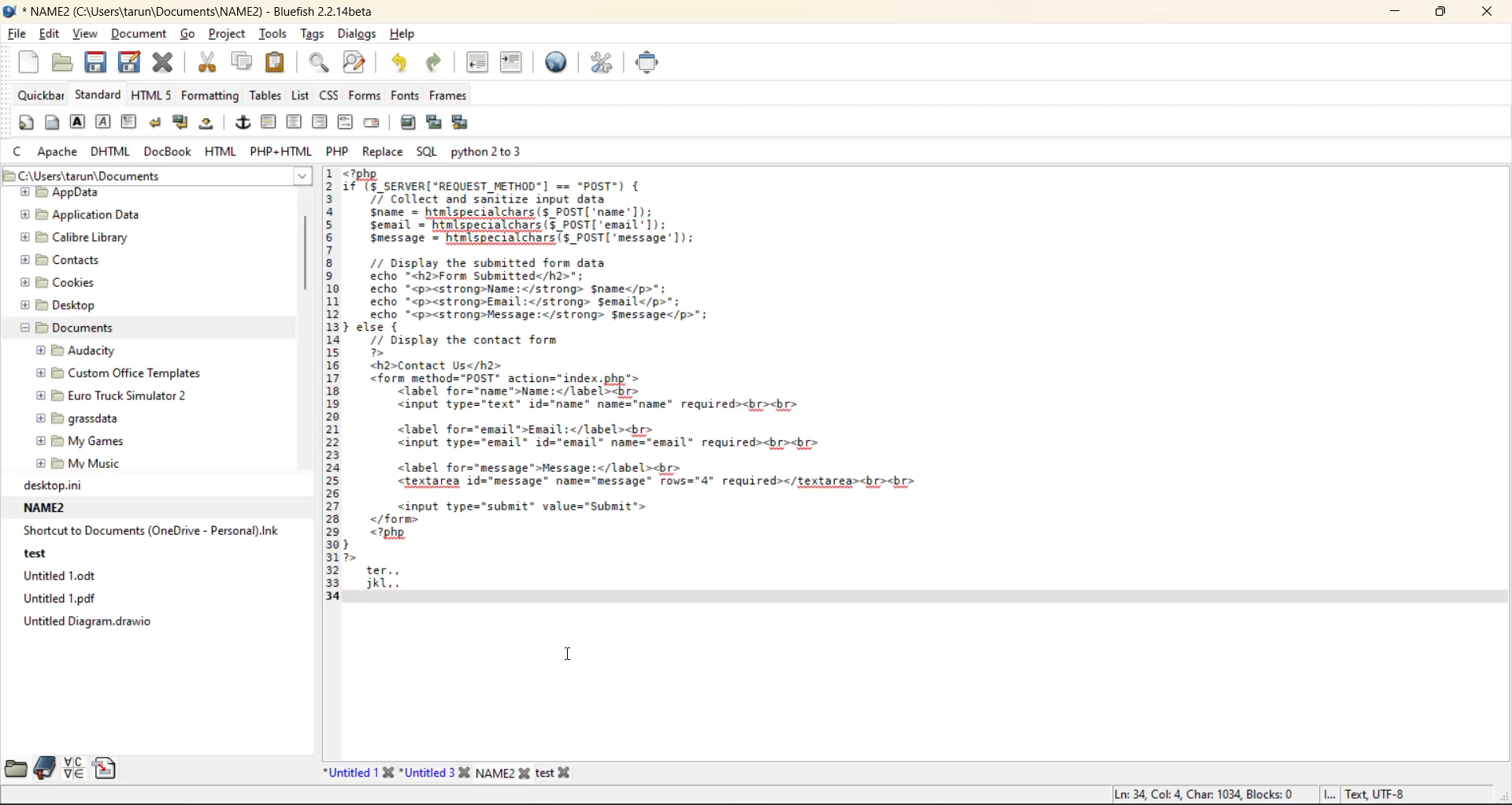  What do you see at coordinates (213, 97) in the screenshot?
I see `formatting` at bounding box center [213, 97].